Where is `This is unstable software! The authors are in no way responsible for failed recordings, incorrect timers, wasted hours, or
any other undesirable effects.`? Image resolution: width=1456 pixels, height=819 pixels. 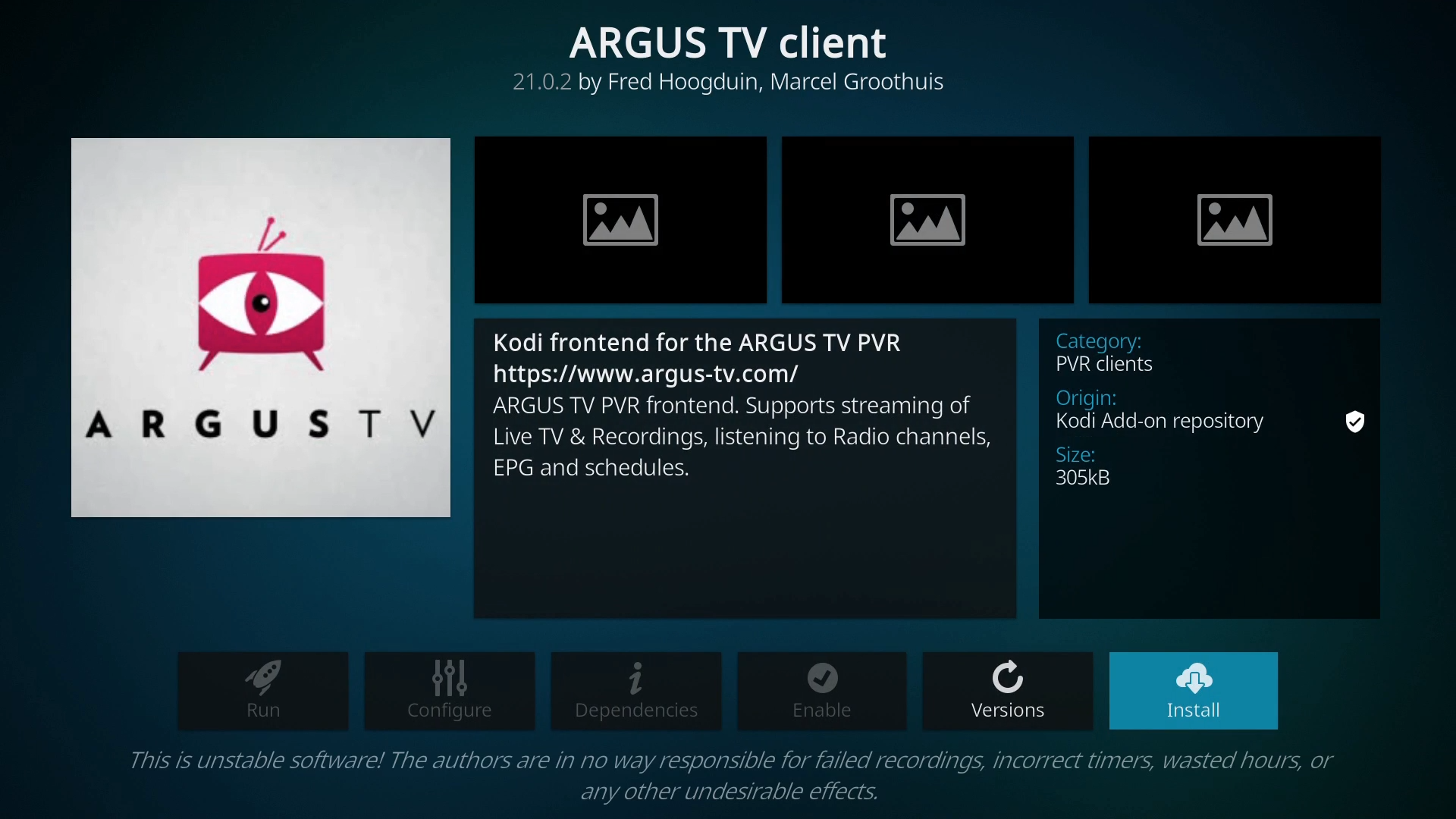 This is unstable software! The authors are in no way responsible for failed recordings, incorrect timers, wasted hours, or
any other undesirable effects. is located at coordinates (737, 777).